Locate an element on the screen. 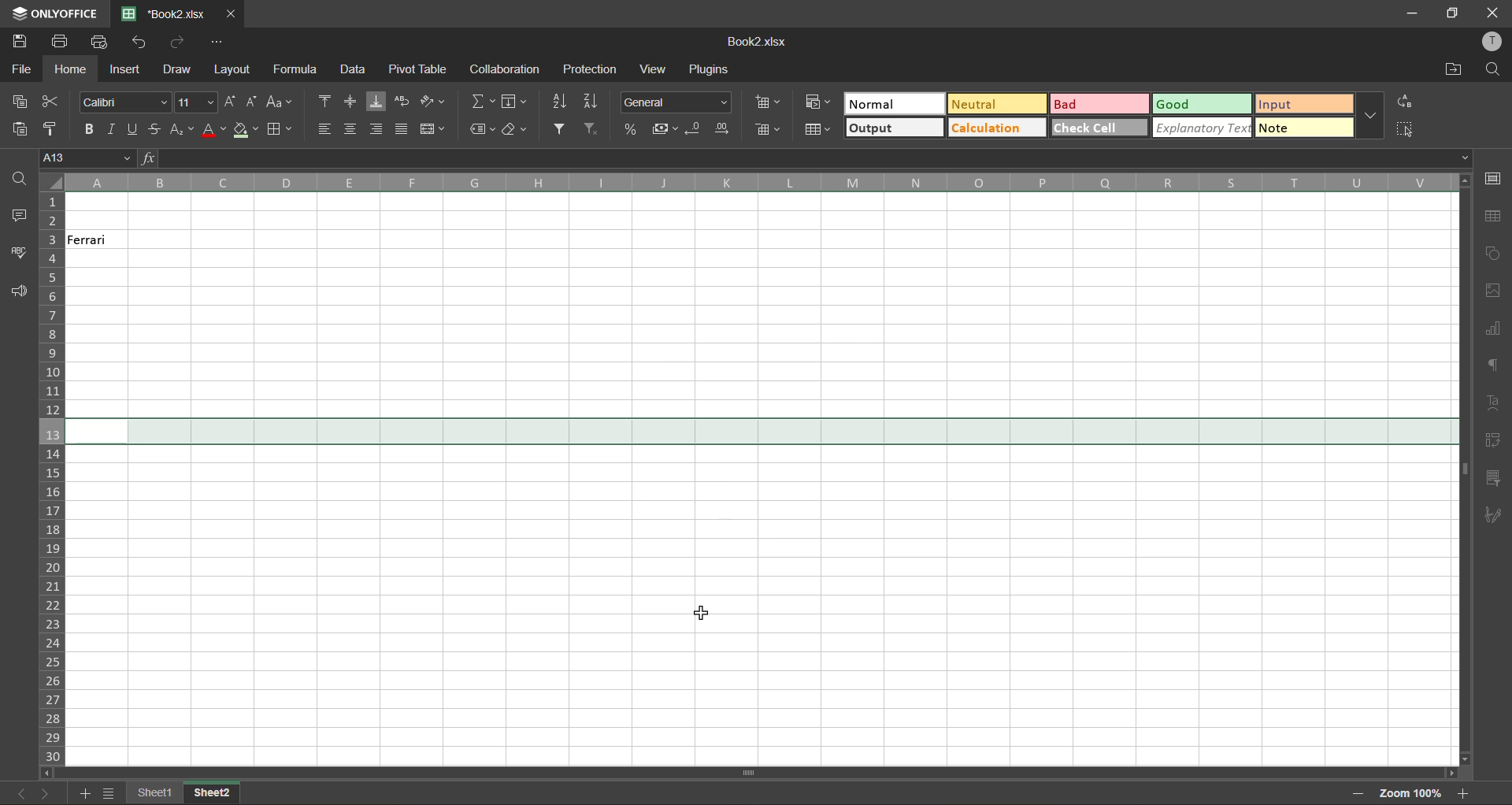 This screenshot has height=805, width=1512. insert is located at coordinates (127, 67).